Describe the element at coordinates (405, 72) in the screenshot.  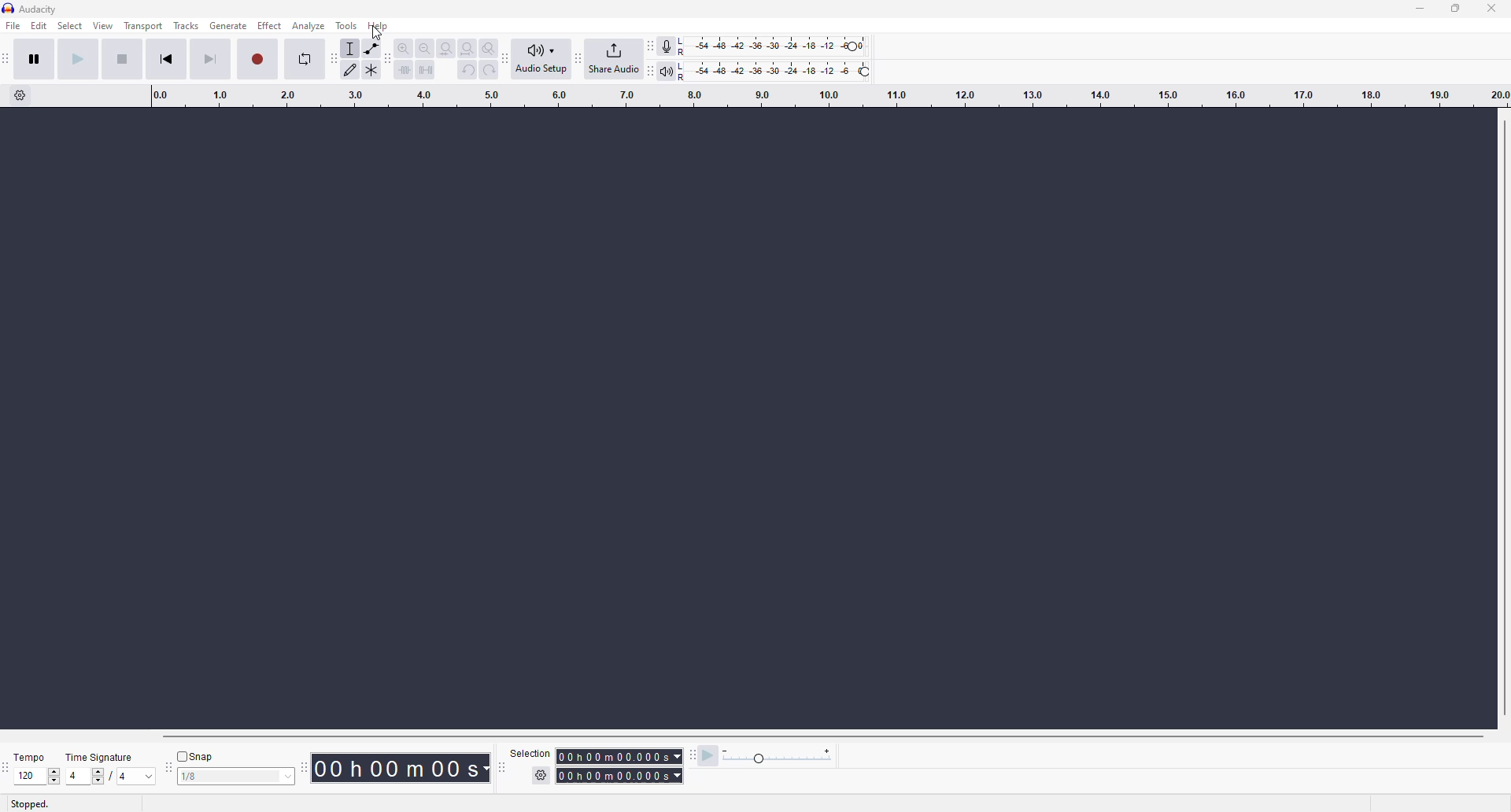
I see `trim audio outside selection` at that location.